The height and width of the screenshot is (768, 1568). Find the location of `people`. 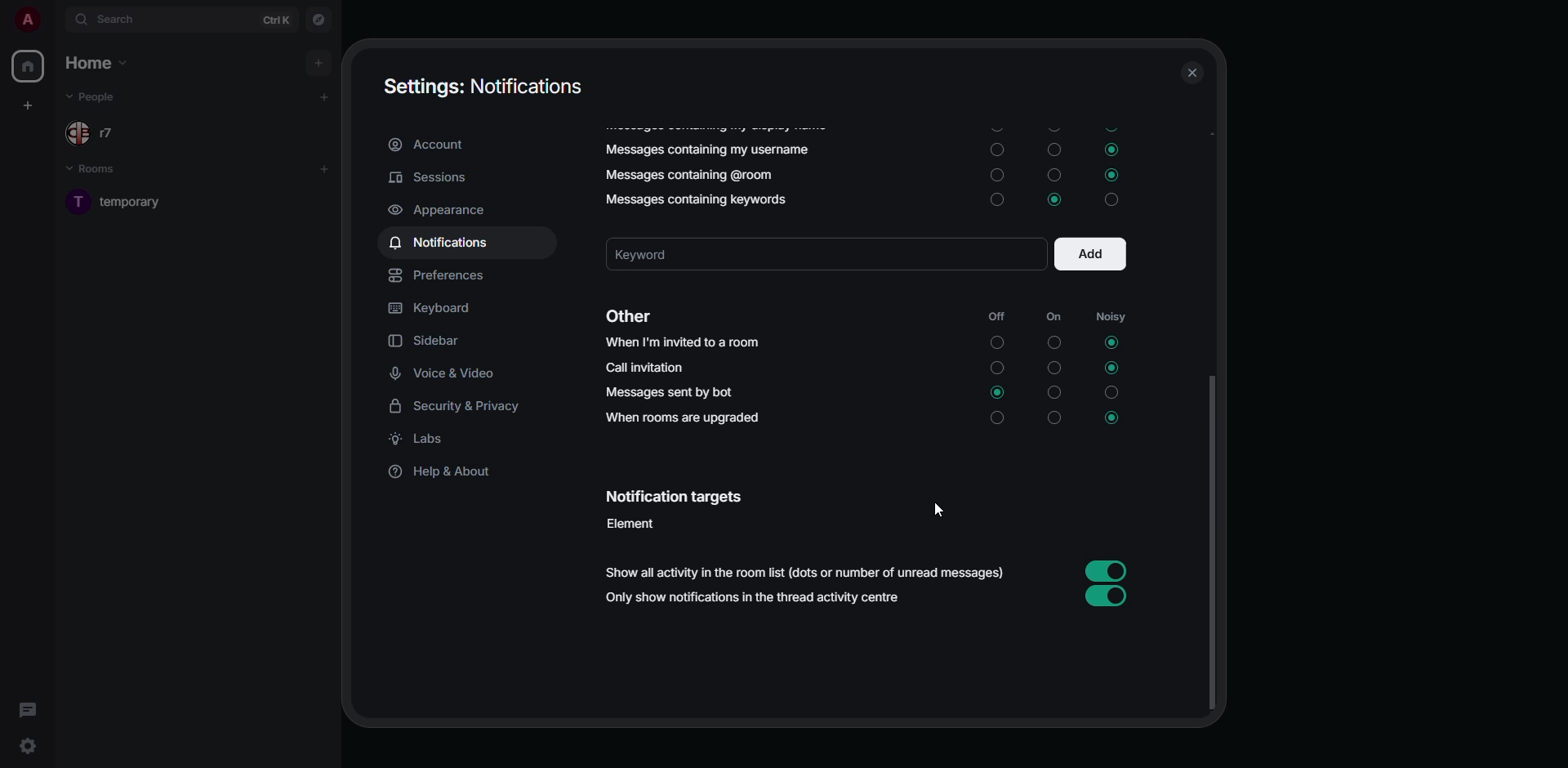

people is located at coordinates (94, 96).